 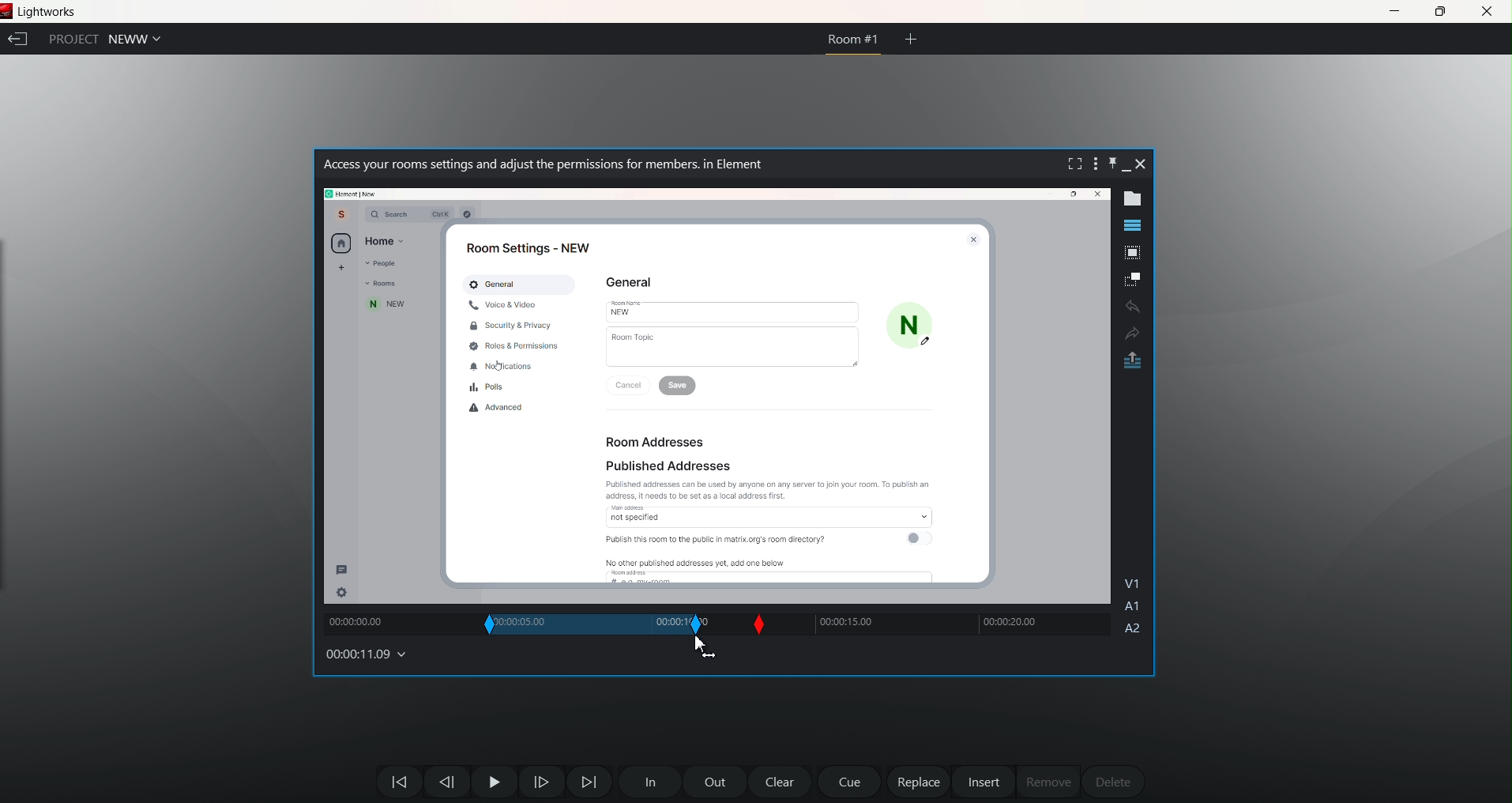 What do you see at coordinates (1133, 630) in the screenshot?
I see `A2` at bounding box center [1133, 630].